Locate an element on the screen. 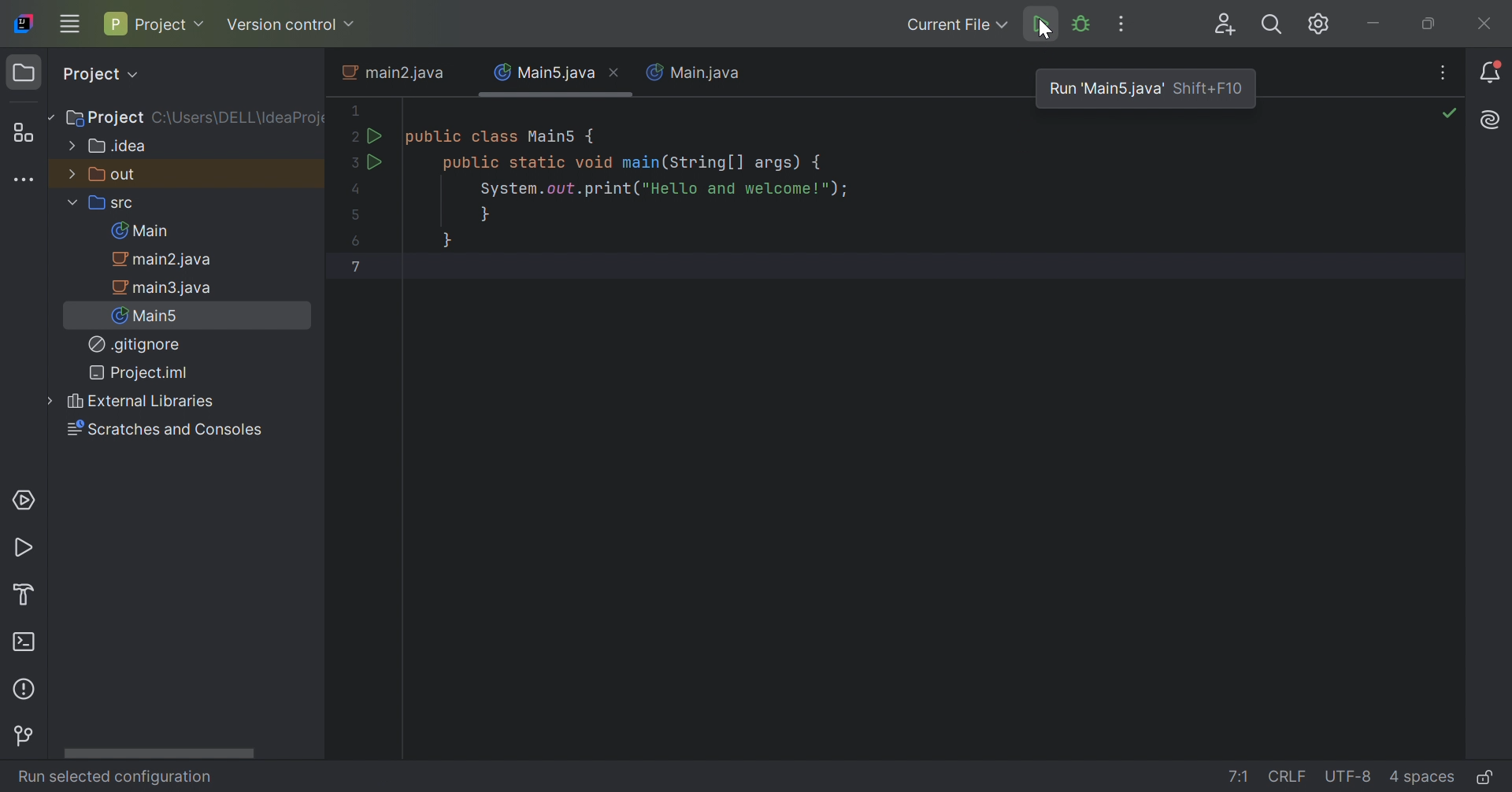 Image resolution: width=1512 pixels, height=792 pixels. Run 'Main5.java' is located at coordinates (1109, 88).